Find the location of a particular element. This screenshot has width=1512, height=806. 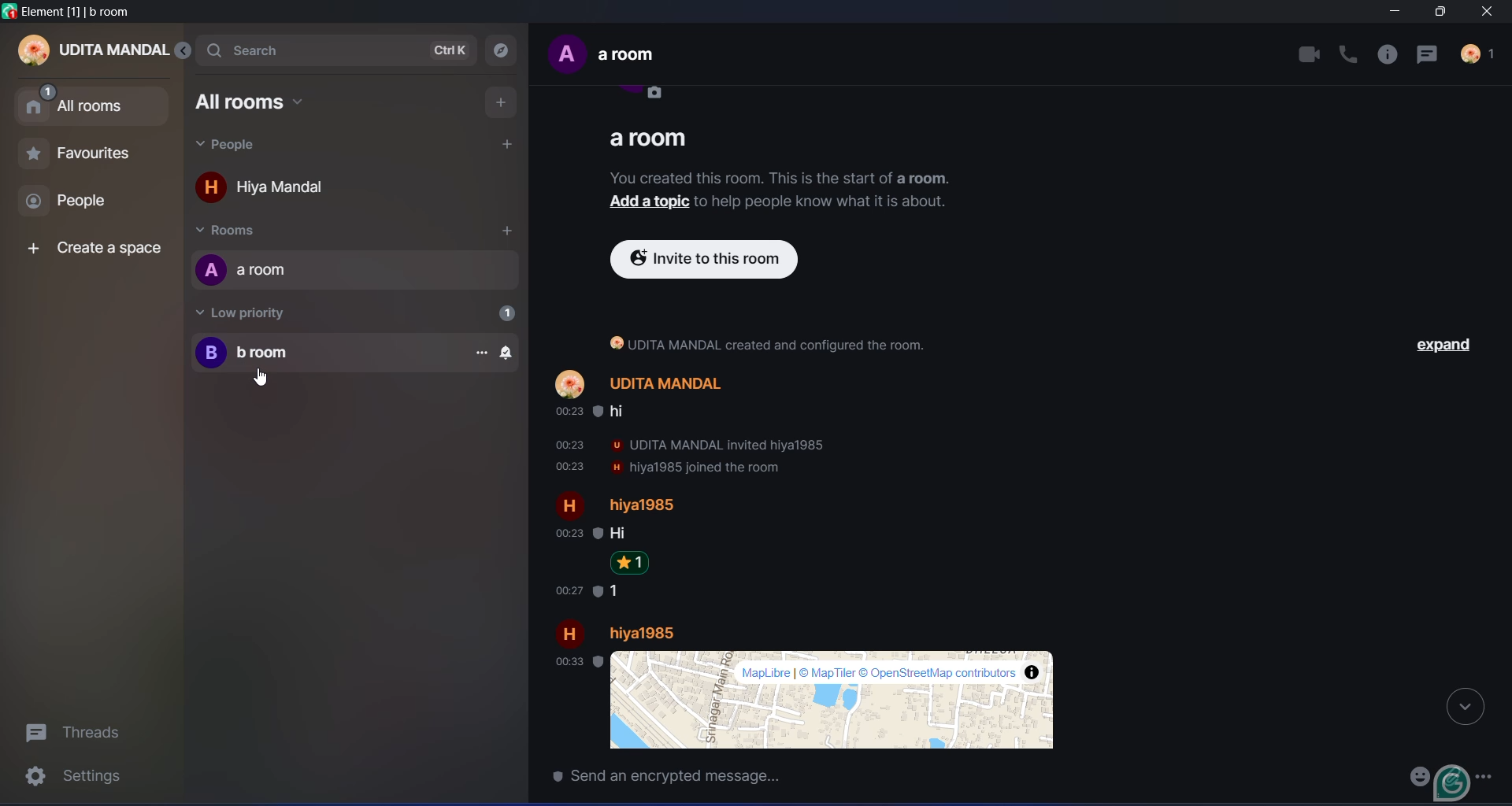

Rooms is located at coordinates (245, 231).